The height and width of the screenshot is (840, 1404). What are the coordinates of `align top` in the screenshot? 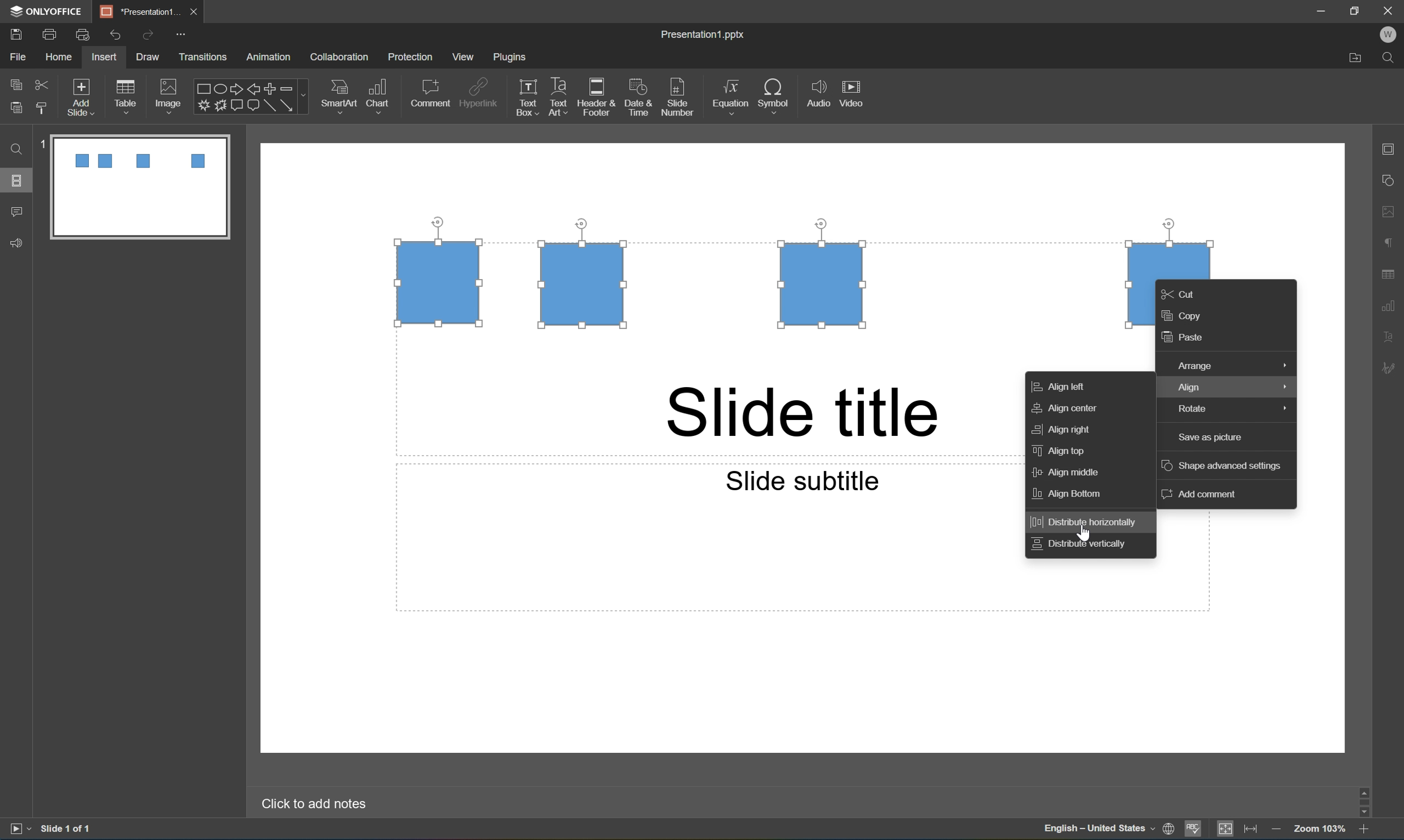 It's located at (1059, 451).